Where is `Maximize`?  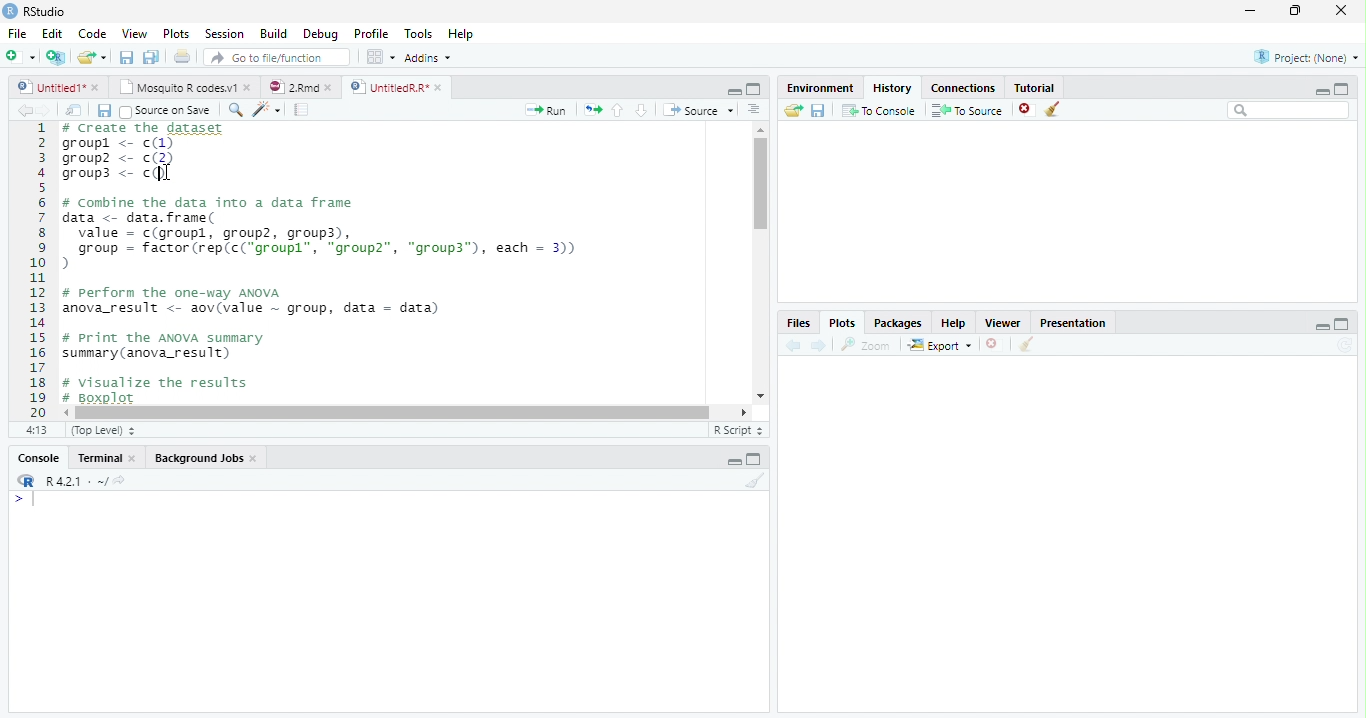 Maximize is located at coordinates (755, 461).